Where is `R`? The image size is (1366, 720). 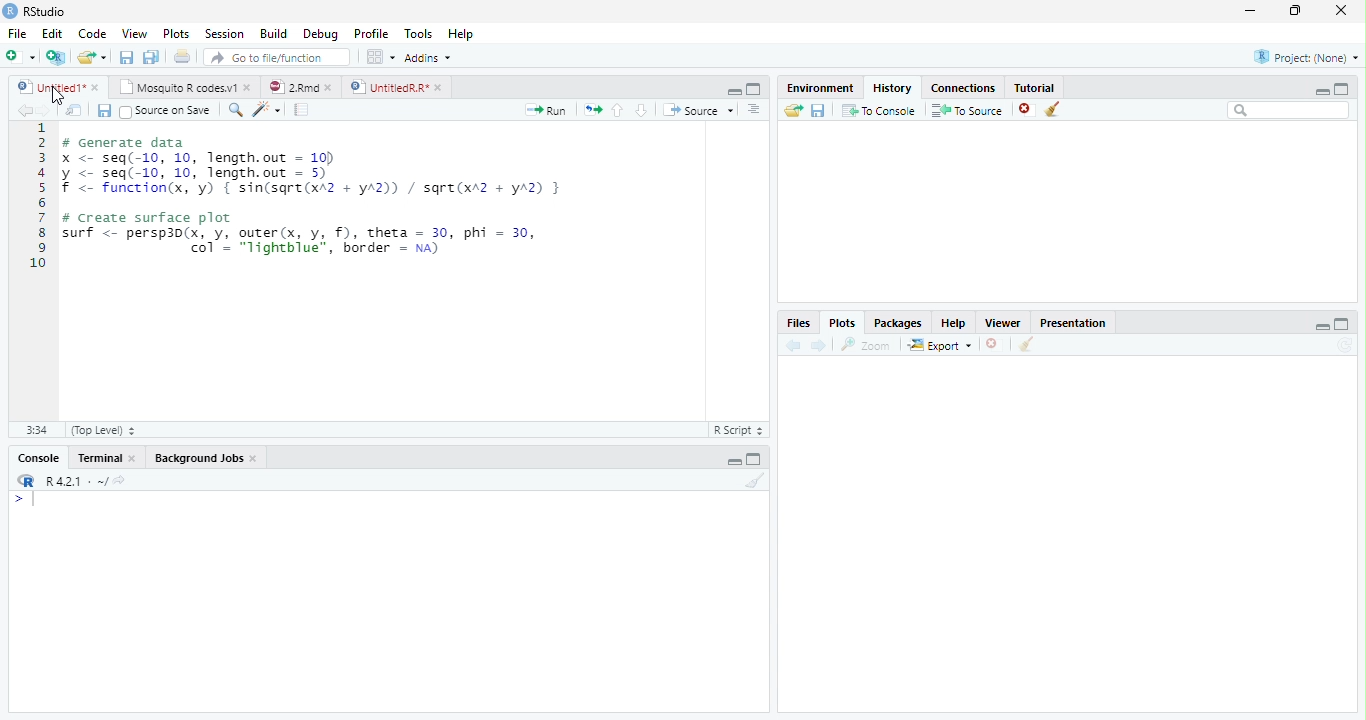 R is located at coordinates (24, 480).